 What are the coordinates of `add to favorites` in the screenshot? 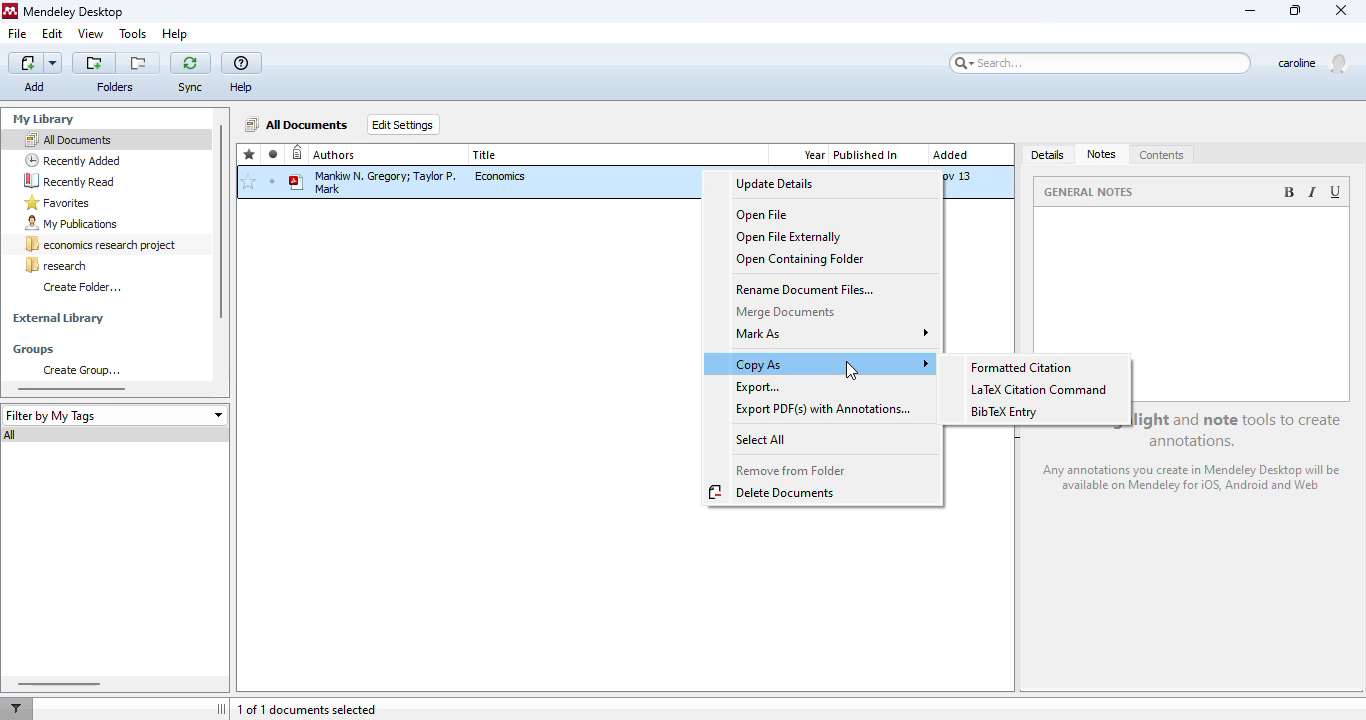 It's located at (248, 183).